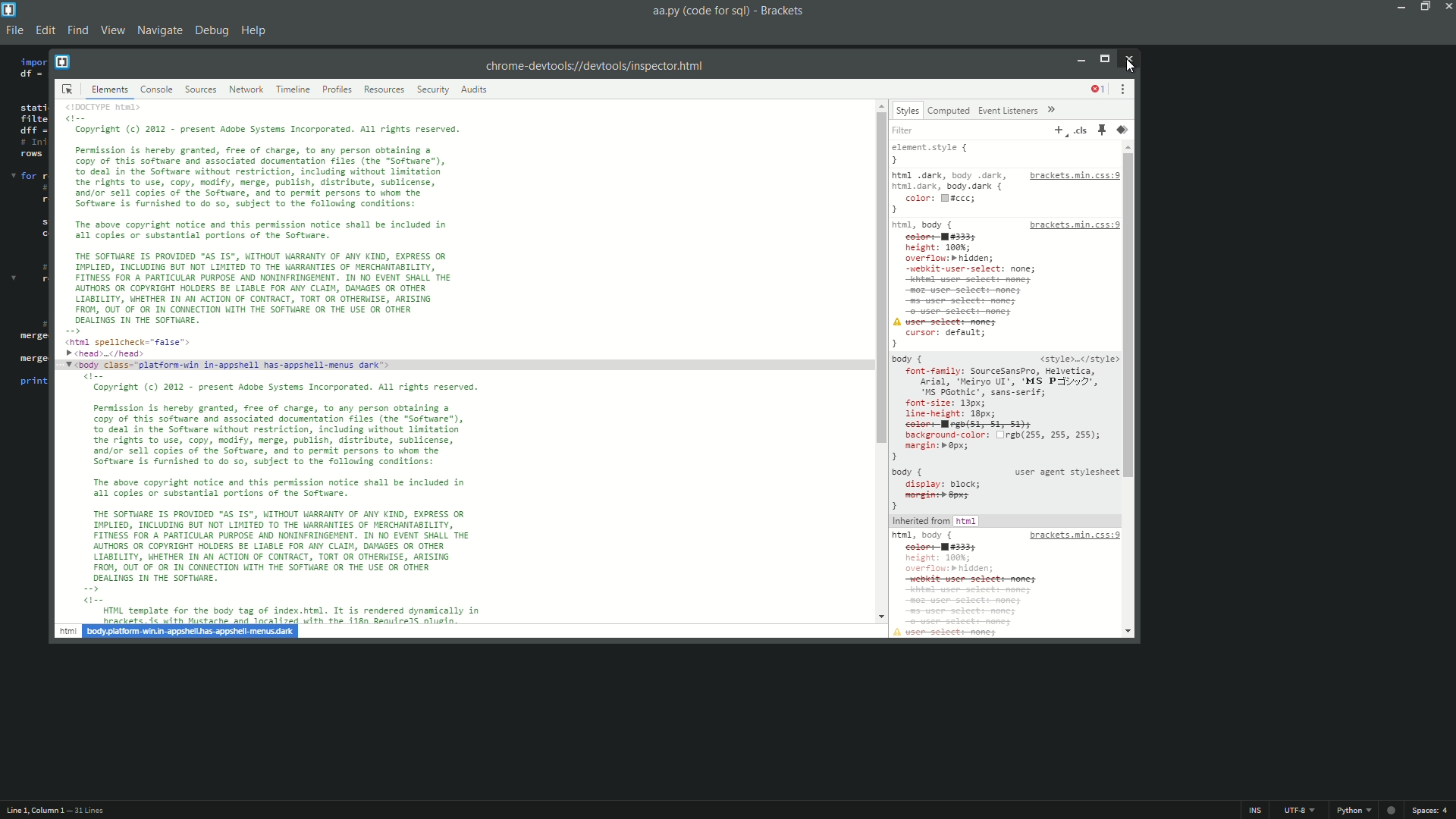 The width and height of the screenshot is (1456, 819). I want to click on edit, so click(45, 31).